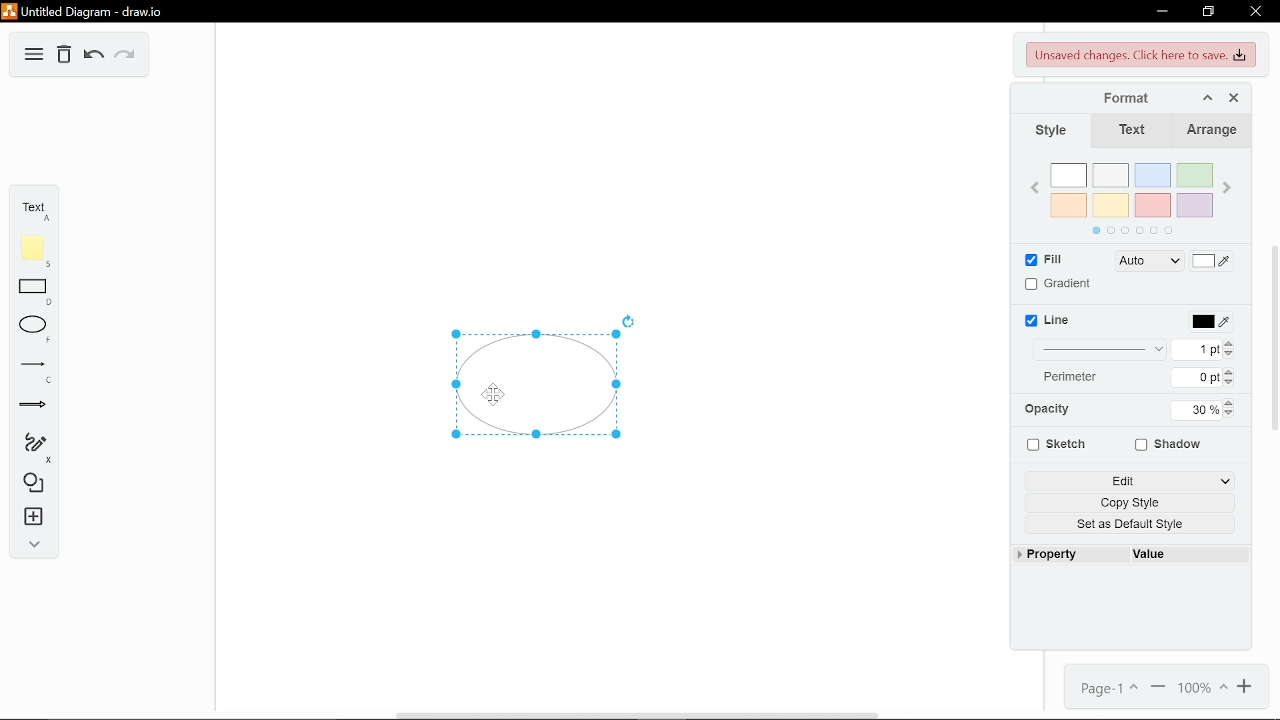 Image resolution: width=1280 pixels, height=720 pixels. What do you see at coordinates (126, 57) in the screenshot?
I see `Redo` at bounding box center [126, 57].